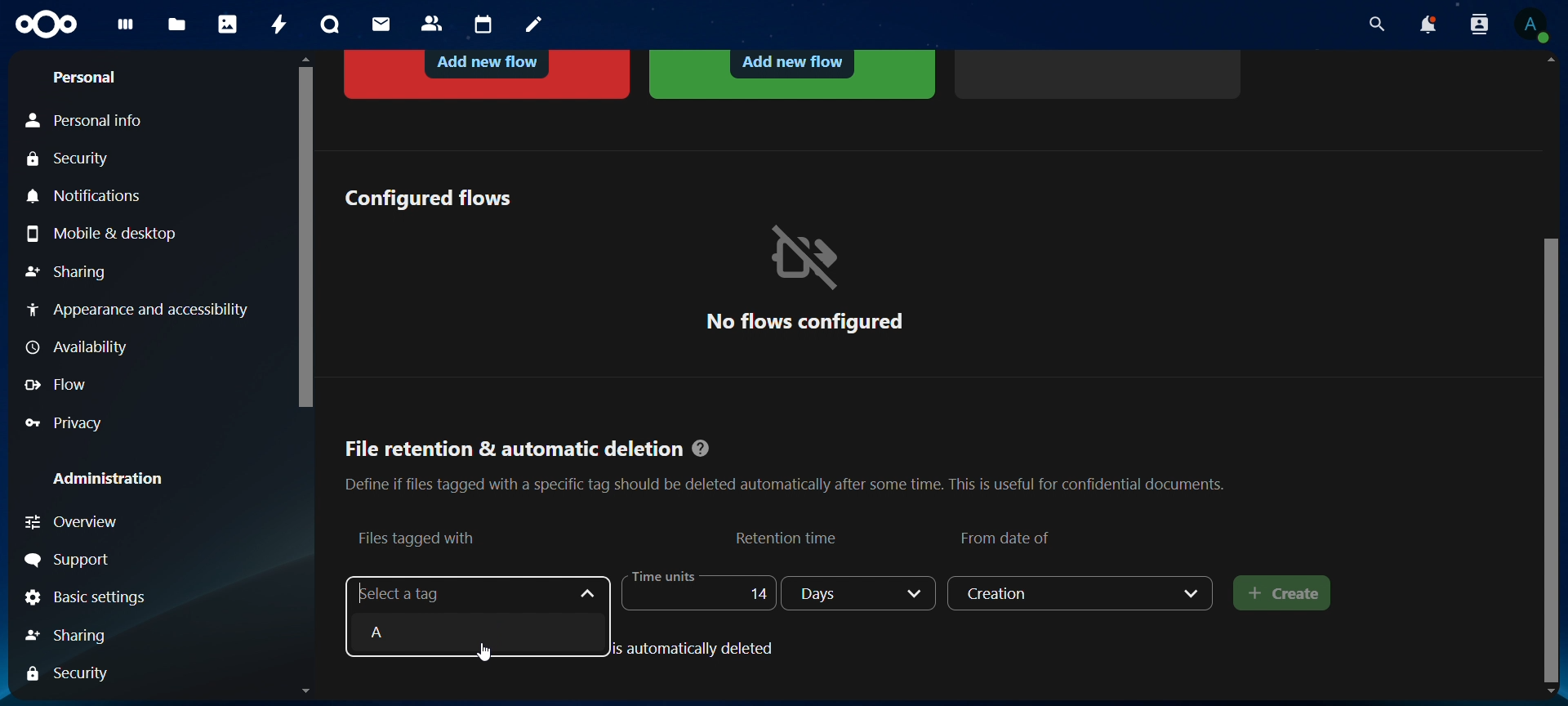  Describe the element at coordinates (60, 385) in the screenshot. I see `flow` at that location.